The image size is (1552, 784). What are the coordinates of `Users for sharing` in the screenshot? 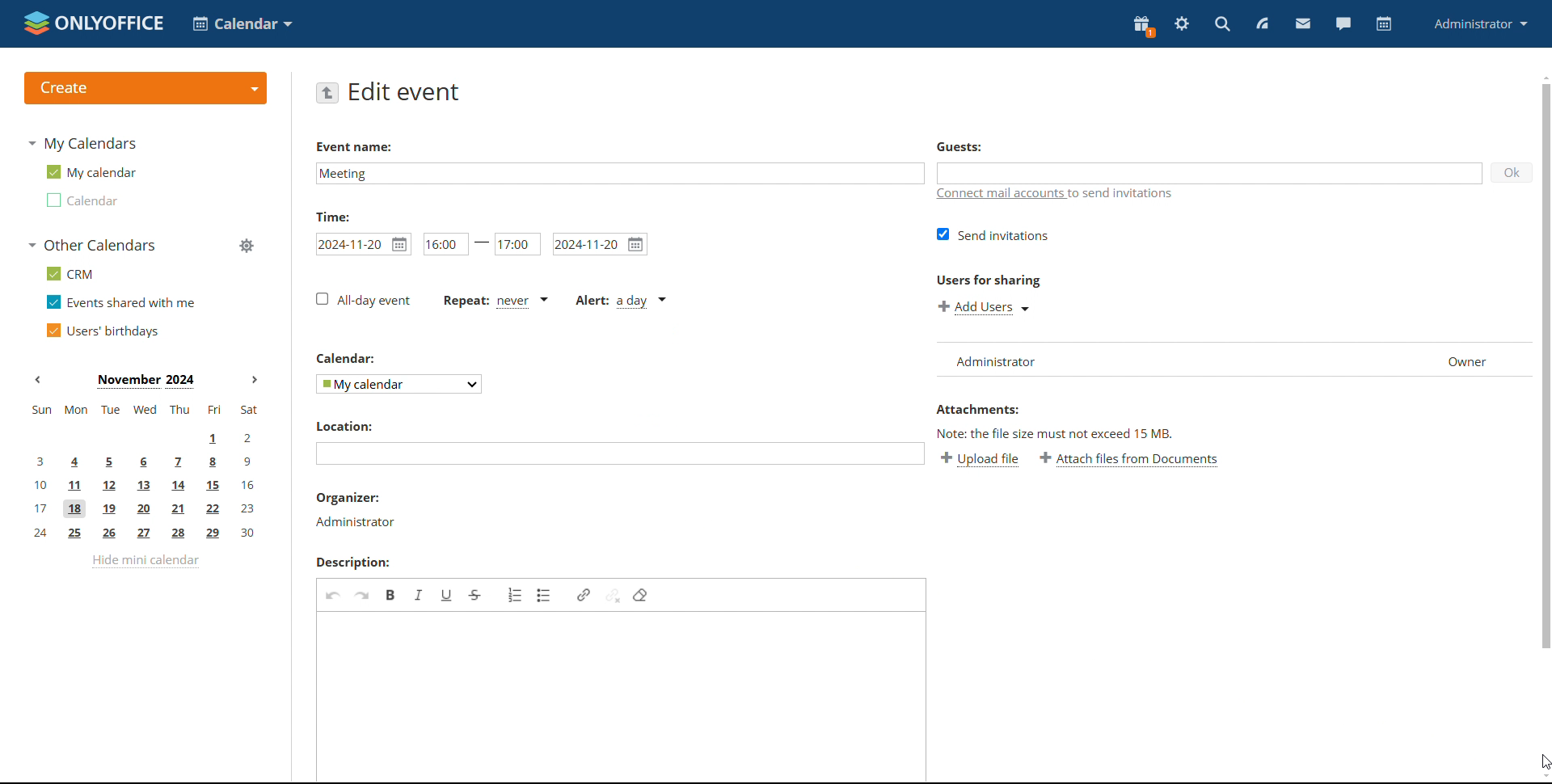 It's located at (988, 280).